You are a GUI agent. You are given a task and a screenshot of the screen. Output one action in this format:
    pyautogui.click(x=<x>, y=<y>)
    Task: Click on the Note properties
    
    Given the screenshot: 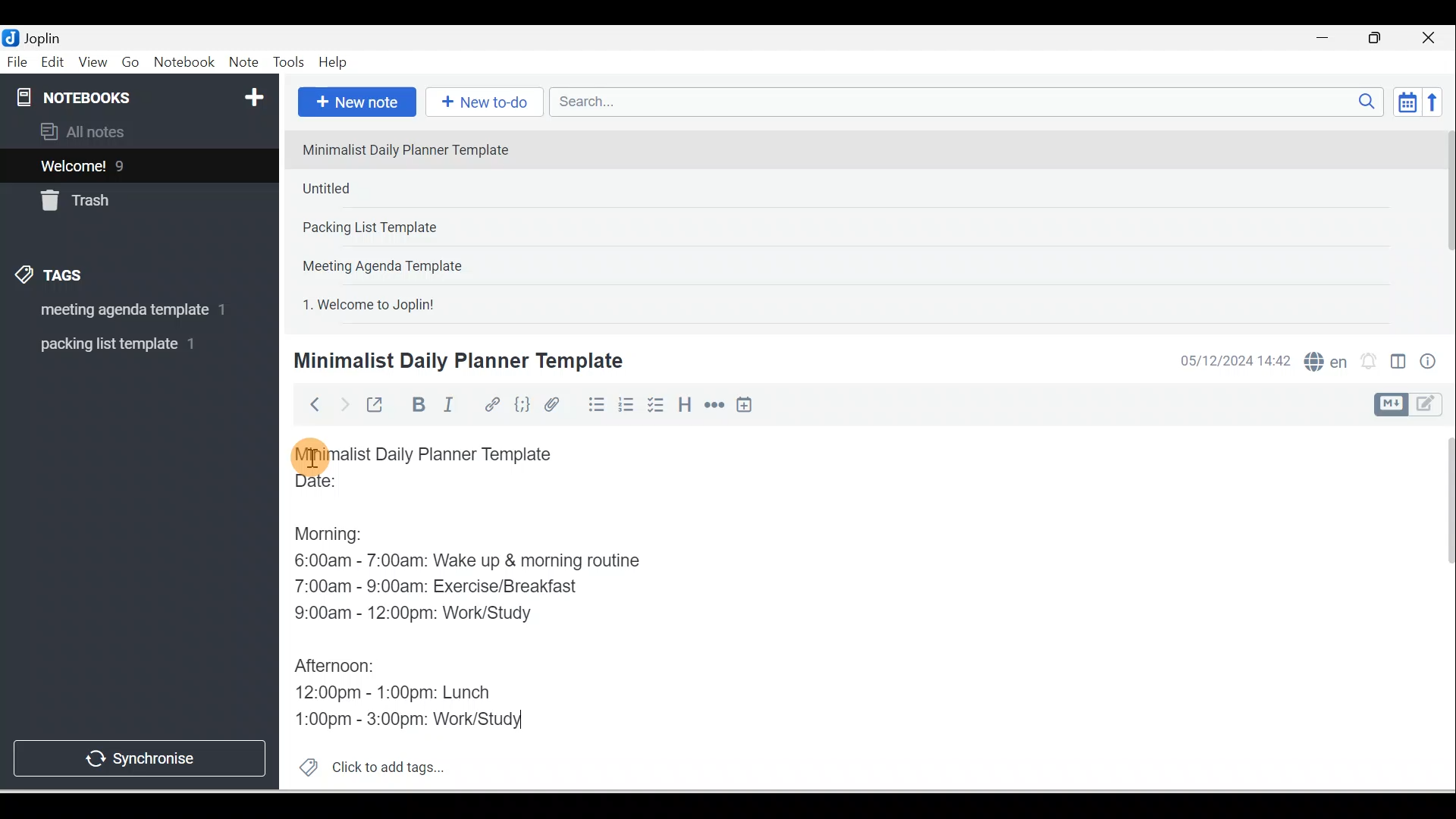 What is the action you would take?
    pyautogui.click(x=1429, y=363)
    